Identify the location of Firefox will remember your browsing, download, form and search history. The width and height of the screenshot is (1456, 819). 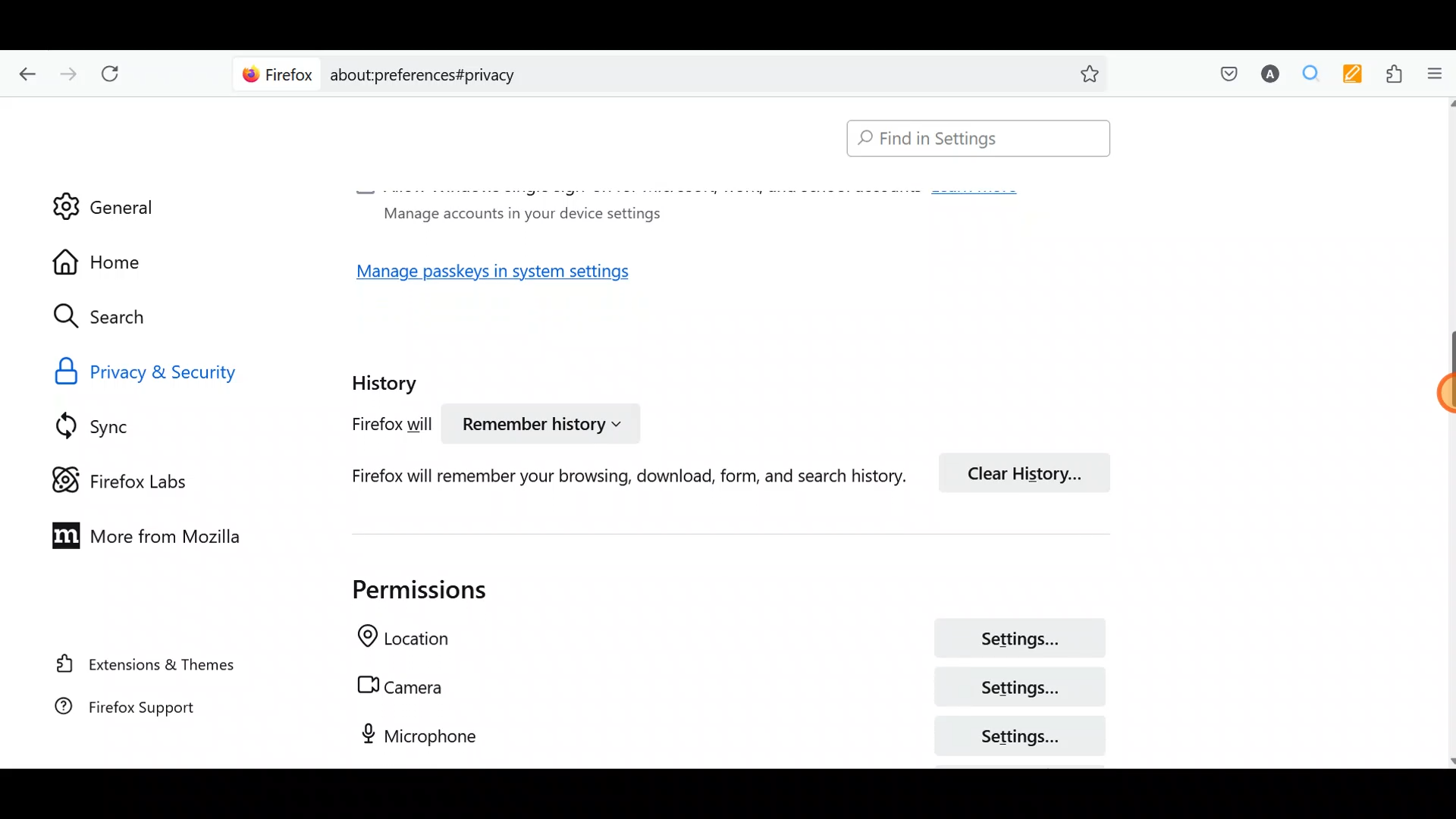
(607, 475).